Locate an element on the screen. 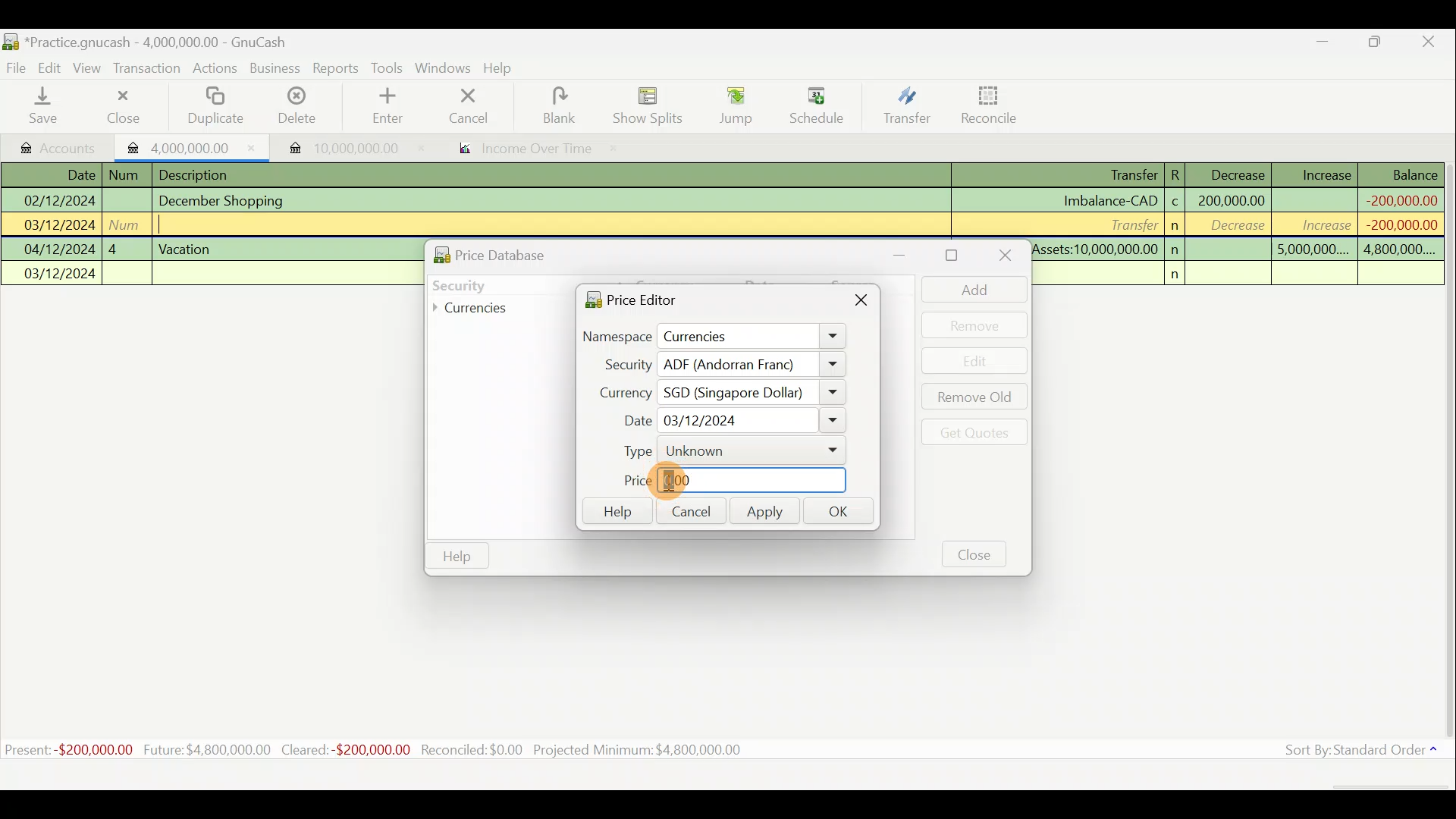  Statistics is located at coordinates (399, 750).